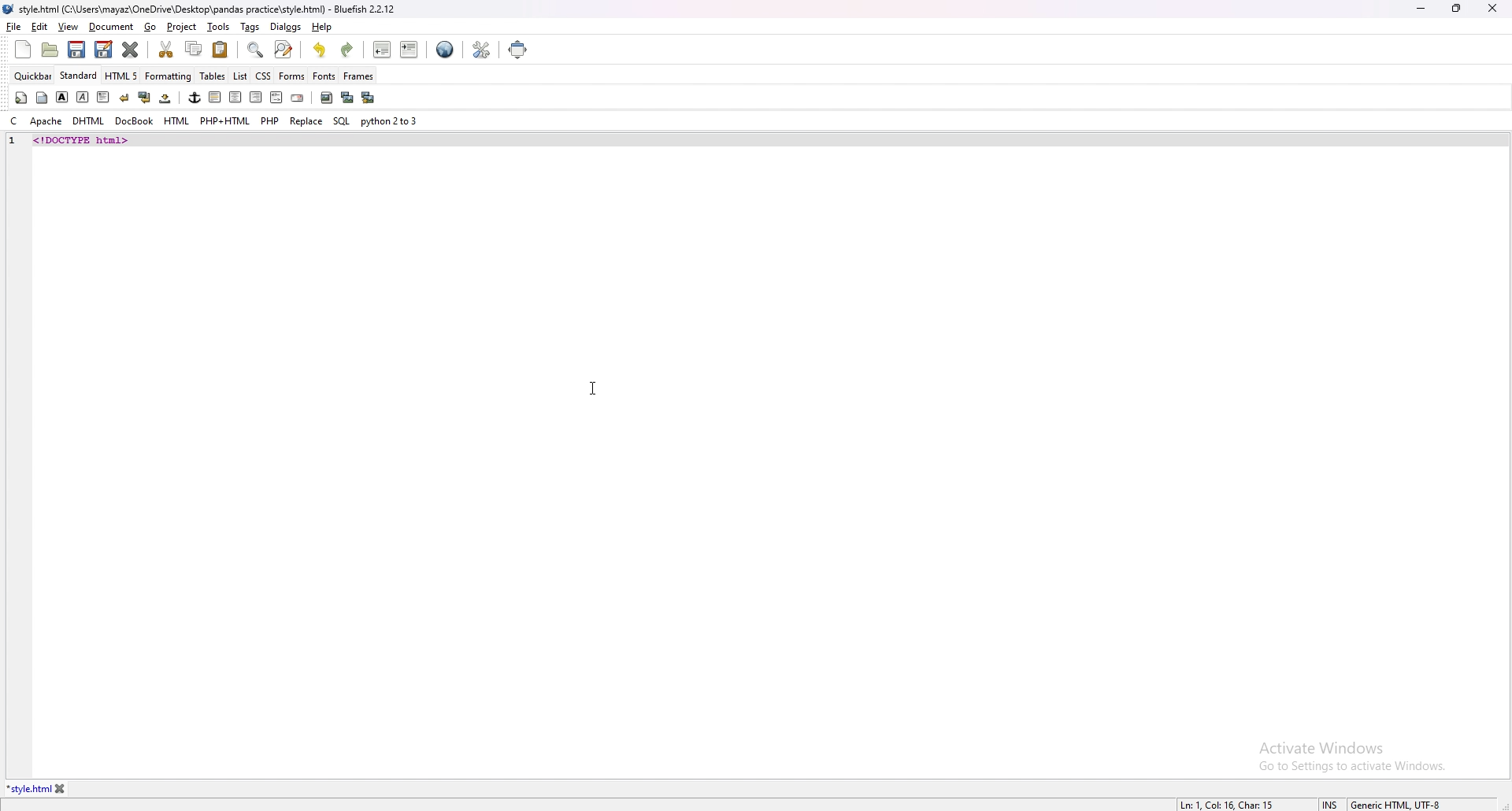  I want to click on anchor, so click(195, 98).